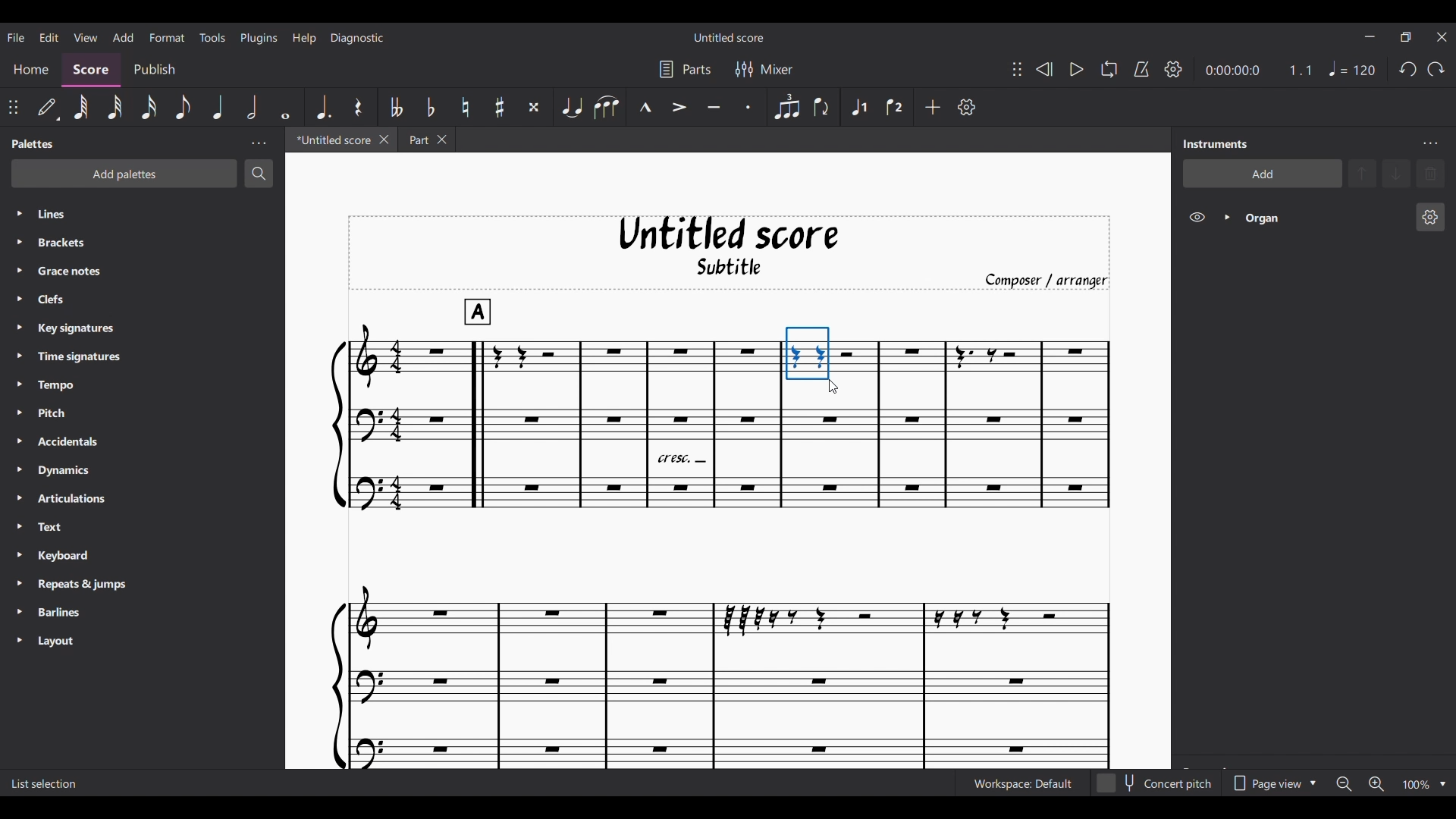 The height and width of the screenshot is (819, 1456). What do you see at coordinates (1259, 71) in the screenshot?
I see `Current ratio and duration of score` at bounding box center [1259, 71].